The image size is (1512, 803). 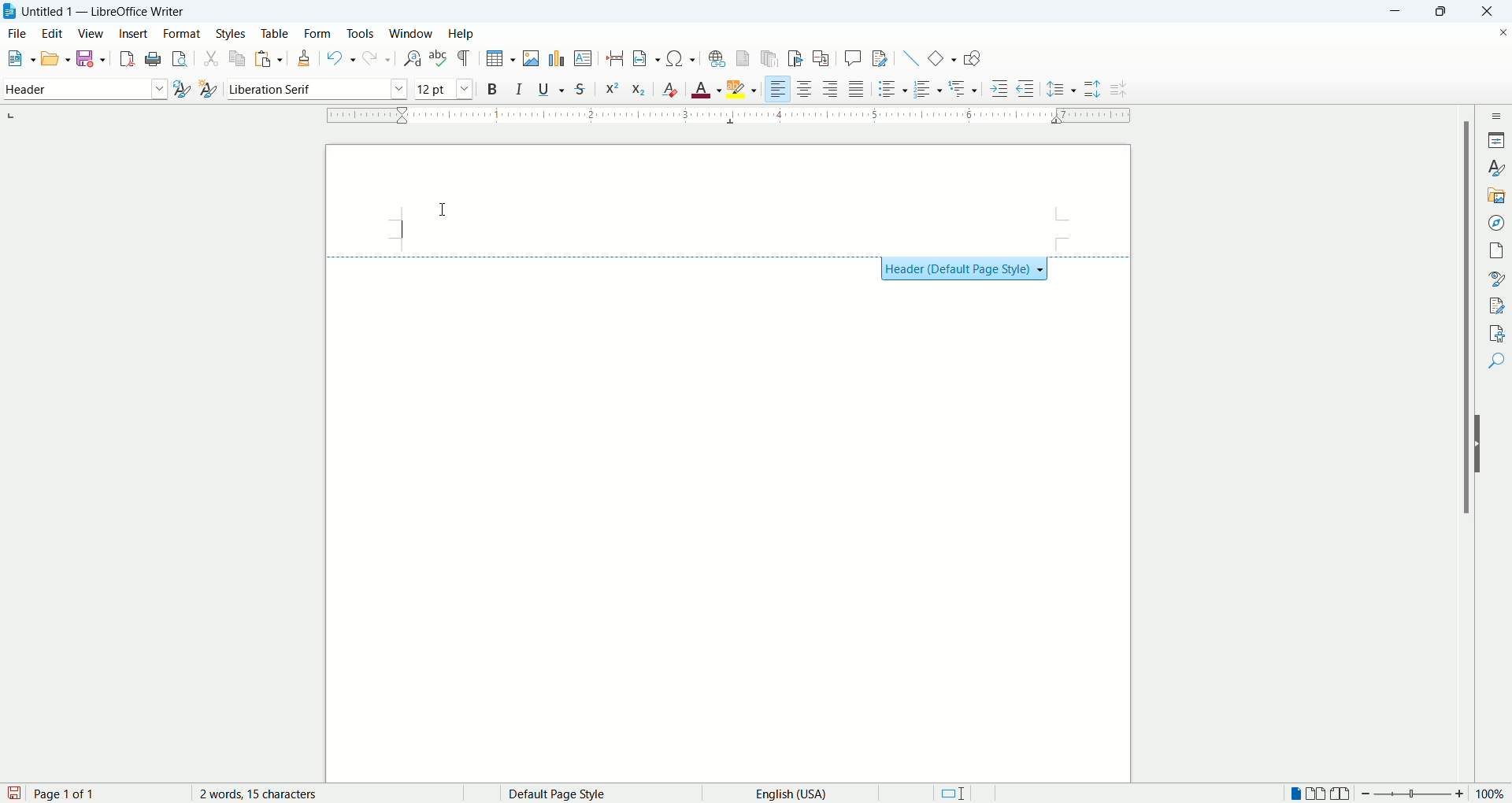 What do you see at coordinates (412, 58) in the screenshot?
I see `find and replace` at bounding box center [412, 58].